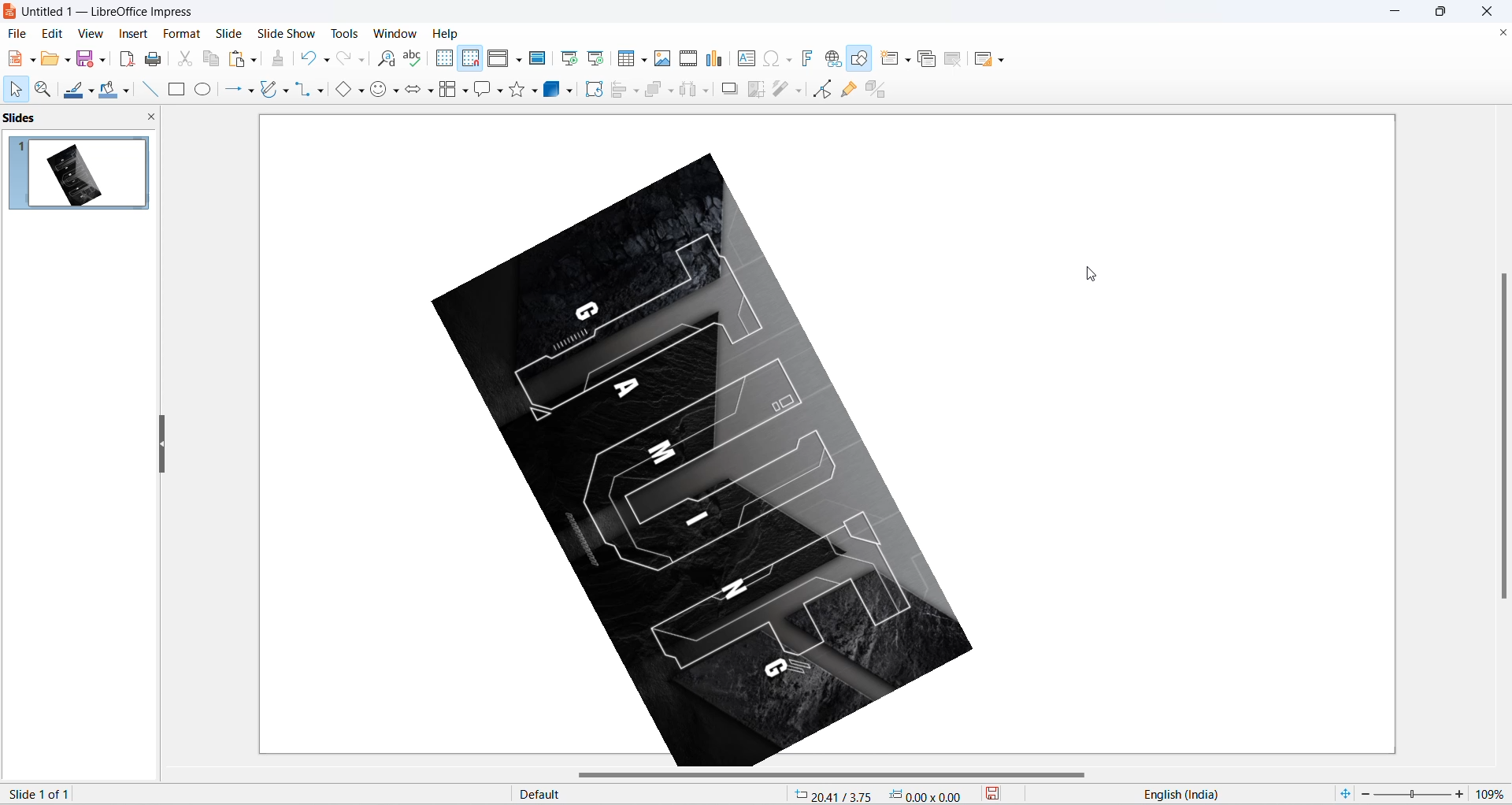 This screenshot has height=805, width=1512. What do you see at coordinates (702, 463) in the screenshot?
I see `rotated image` at bounding box center [702, 463].